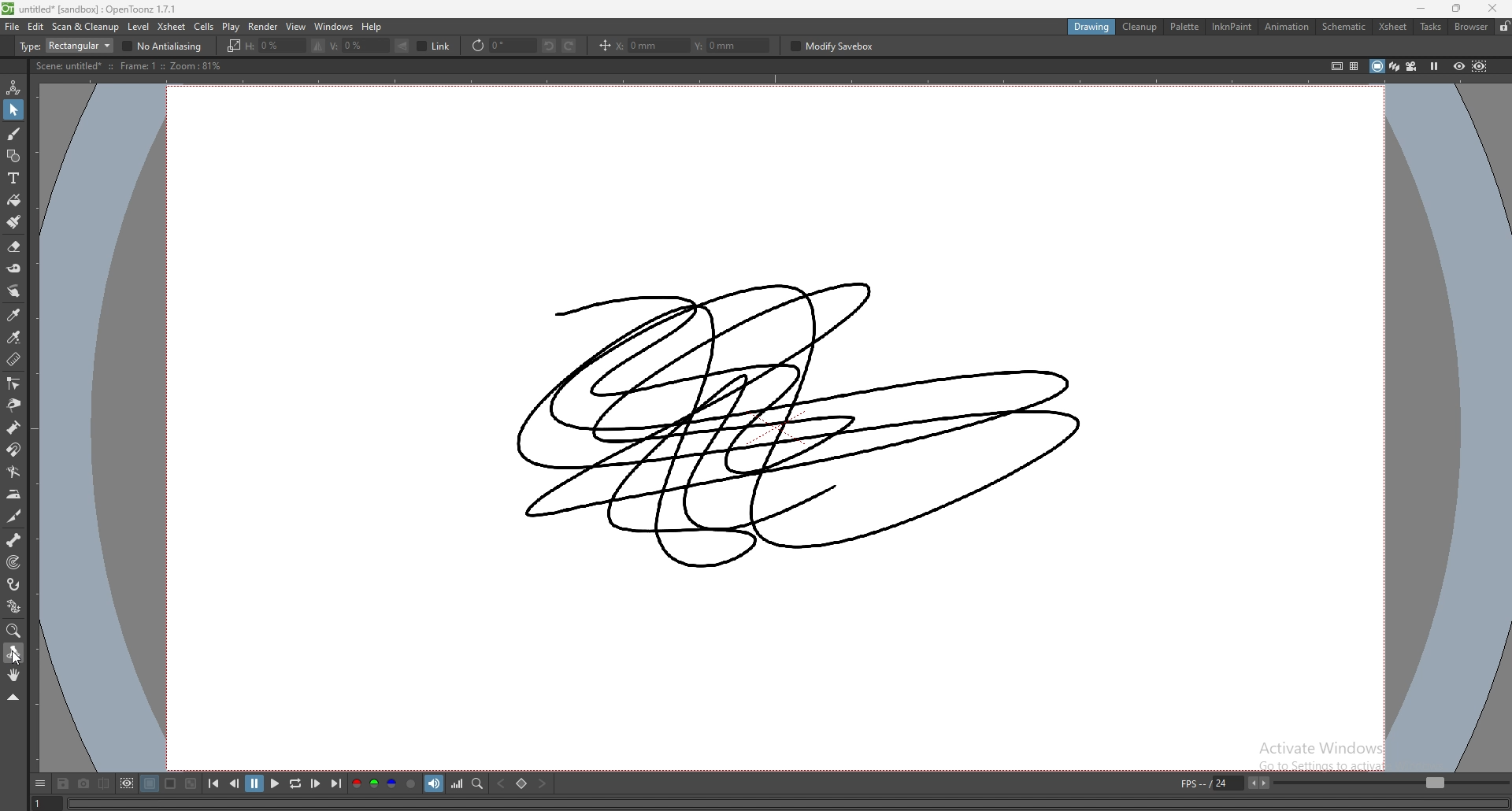 This screenshot has height=811, width=1512. What do you see at coordinates (13, 291) in the screenshot?
I see `finger` at bounding box center [13, 291].